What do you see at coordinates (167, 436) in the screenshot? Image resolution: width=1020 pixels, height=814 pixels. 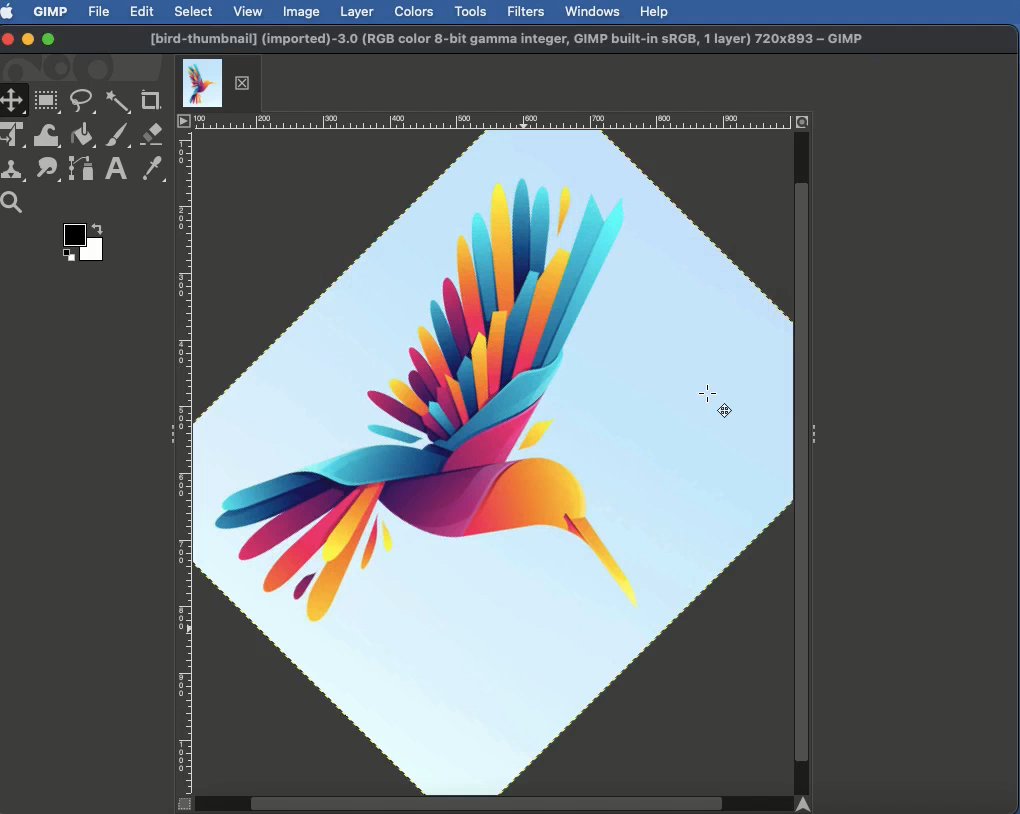 I see `Show sidebar menu` at bounding box center [167, 436].